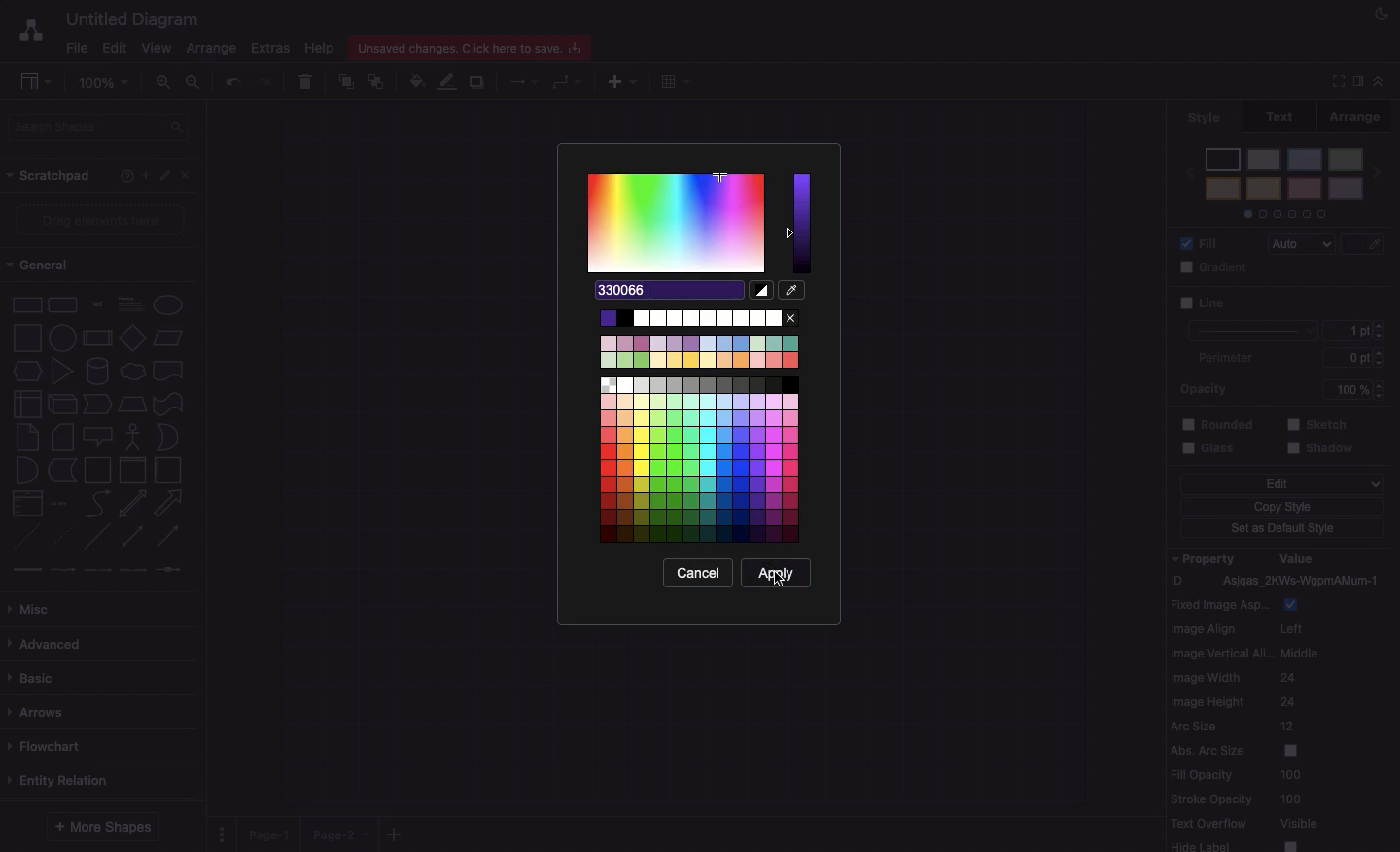  What do you see at coordinates (1218, 422) in the screenshot?
I see `Rounded` at bounding box center [1218, 422].